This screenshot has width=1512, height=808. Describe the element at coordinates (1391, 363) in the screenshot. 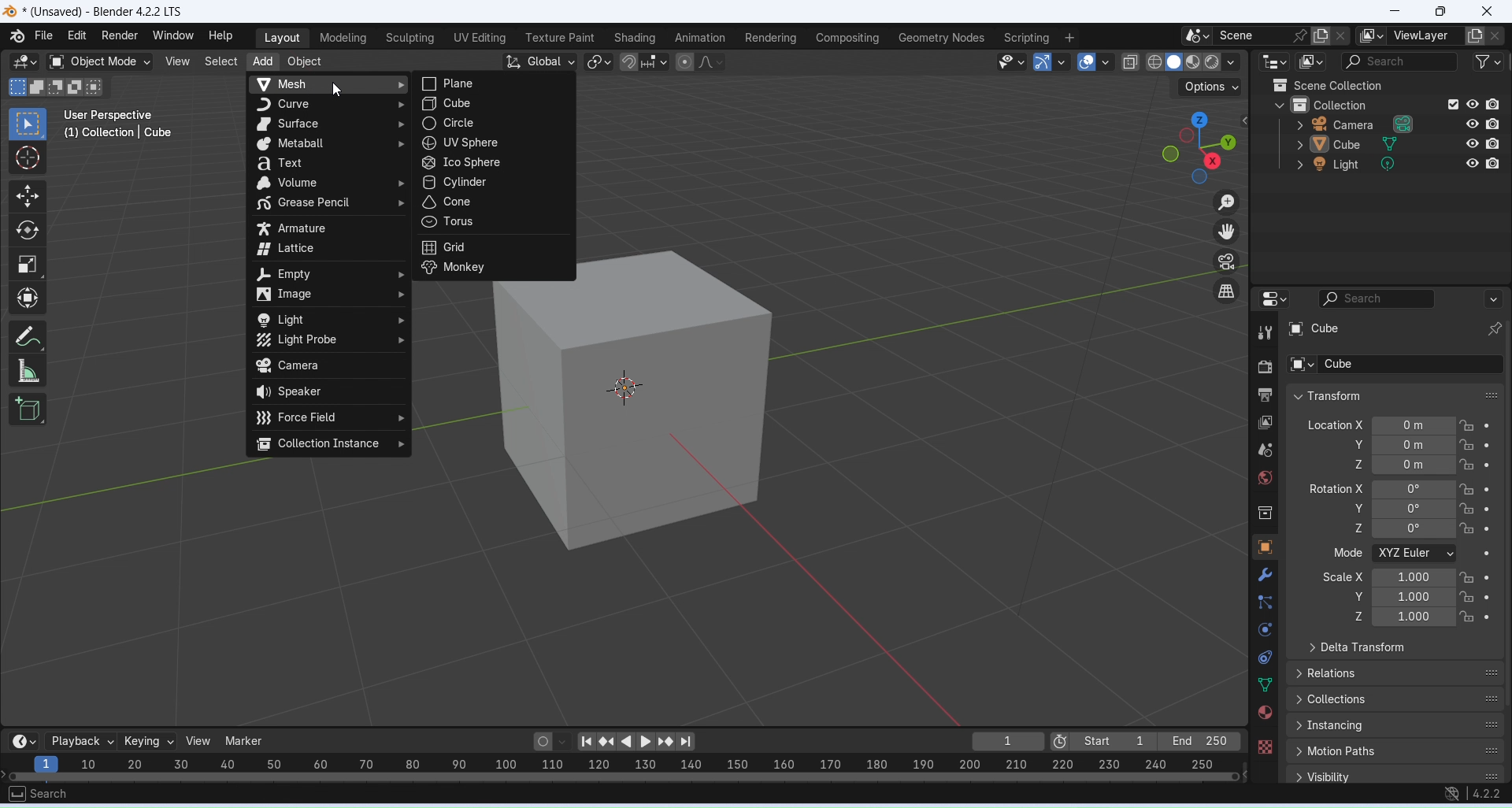

I see `Cube sub layer` at that location.